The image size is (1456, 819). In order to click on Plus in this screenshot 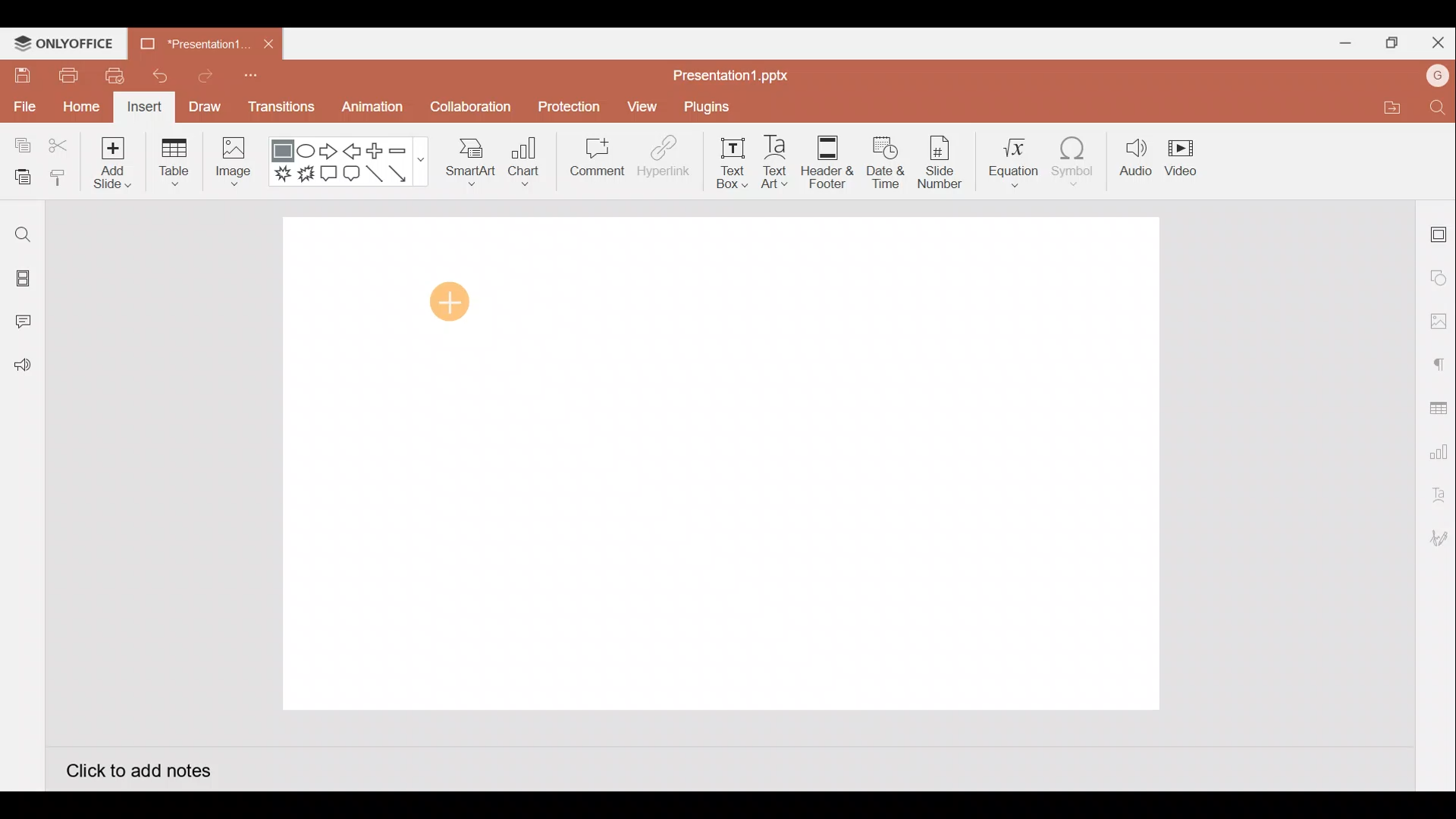, I will do `click(378, 151)`.